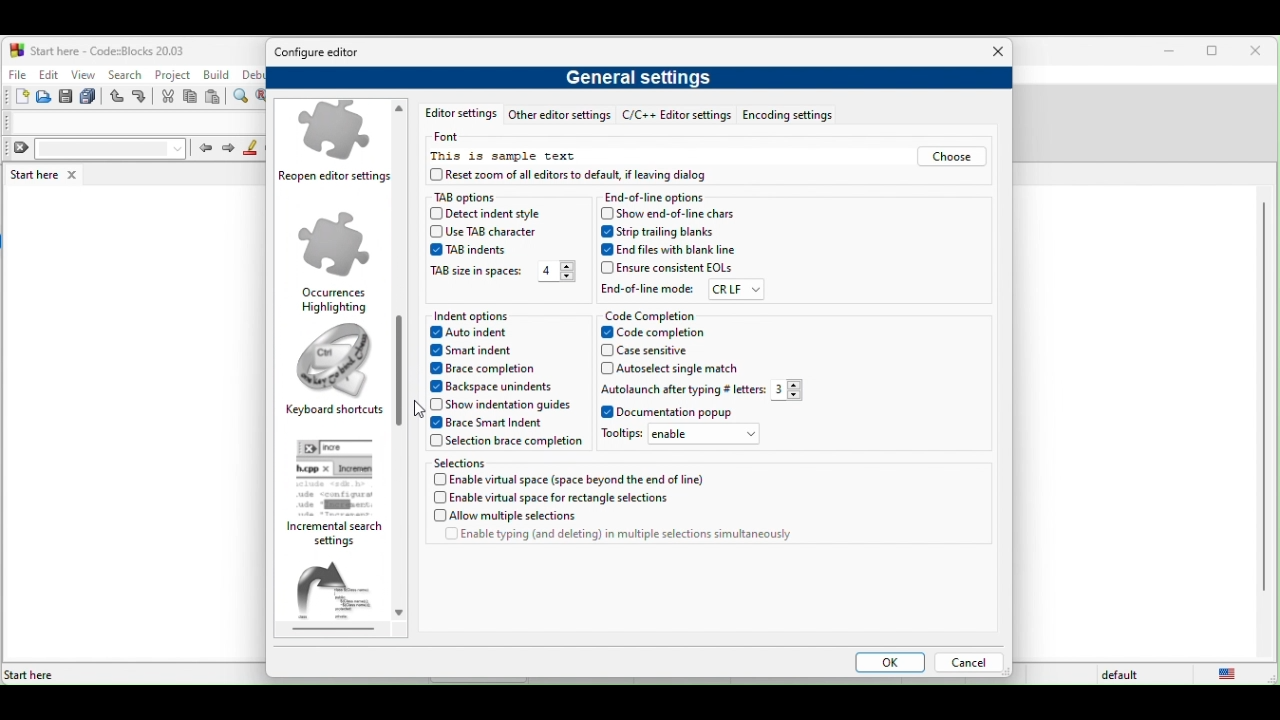 This screenshot has height=720, width=1280. What do you see at coordinates (489, 232) in the screenshot?
I see `use tab character` at bounding box center [489, 232].